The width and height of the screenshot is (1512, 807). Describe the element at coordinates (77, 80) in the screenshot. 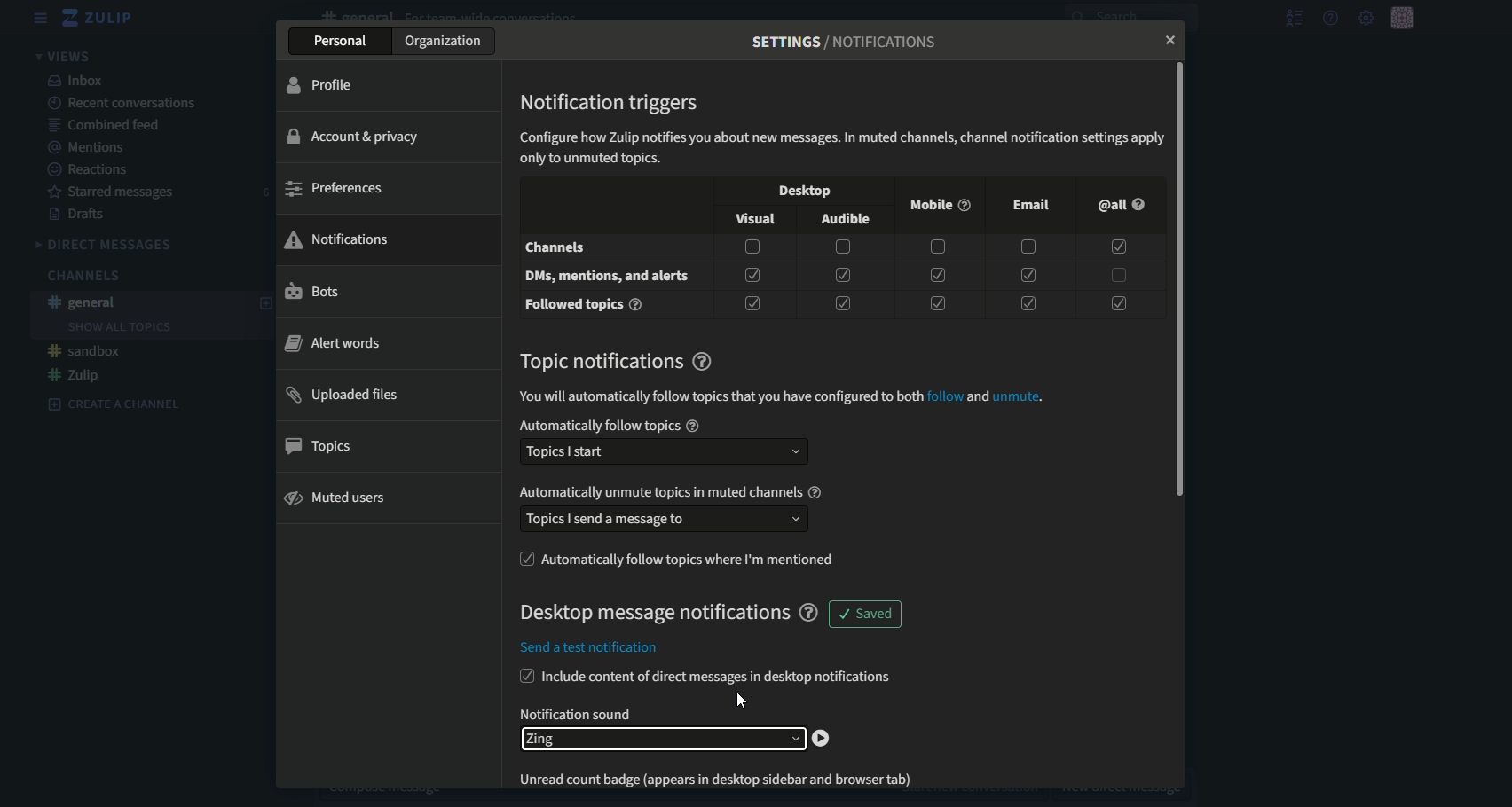

I see `inbox` at that location.